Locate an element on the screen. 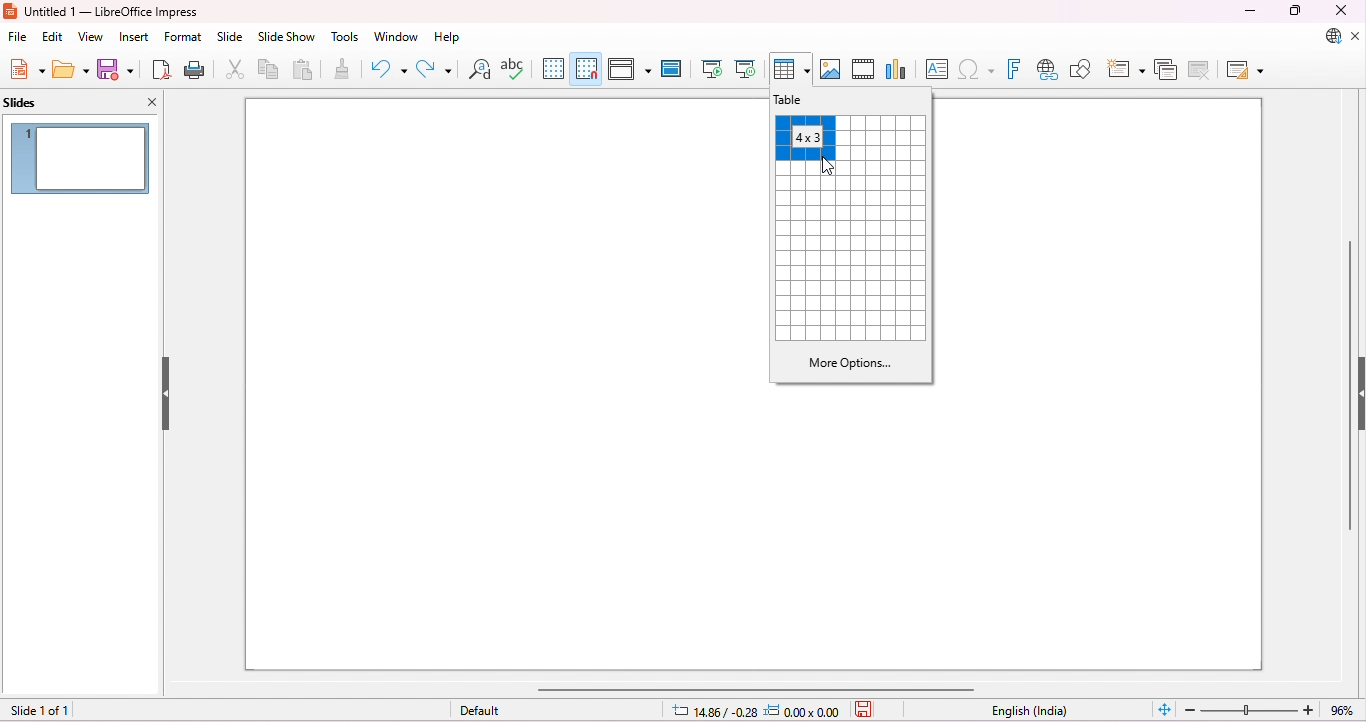  cursor position is located at coordinates (714, 712).